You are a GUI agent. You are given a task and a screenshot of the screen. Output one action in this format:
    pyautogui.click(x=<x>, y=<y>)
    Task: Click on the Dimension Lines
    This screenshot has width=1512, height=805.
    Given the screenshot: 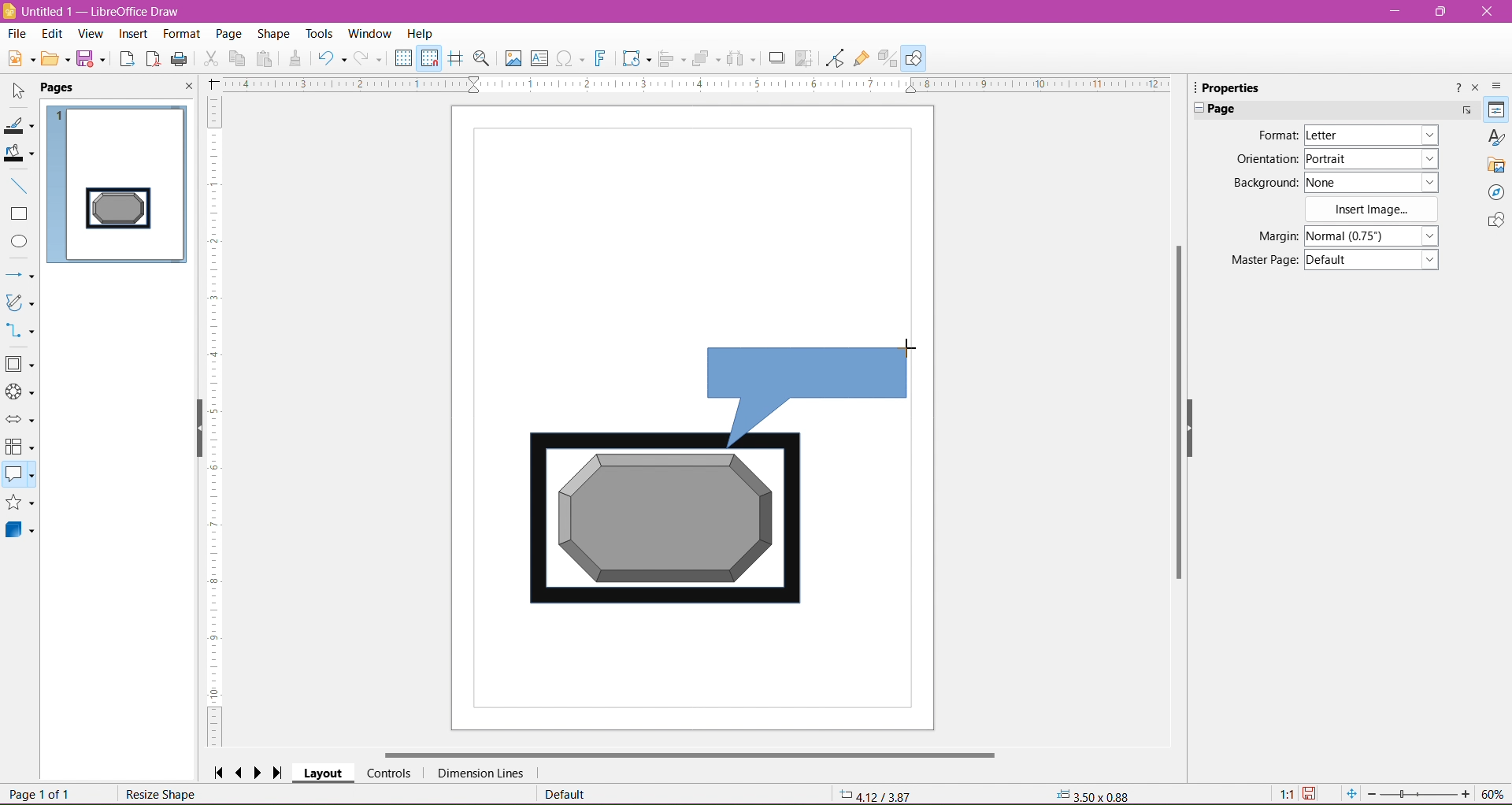 What is the action you would take?
    pyautogui.click(x=480, y=773)
    